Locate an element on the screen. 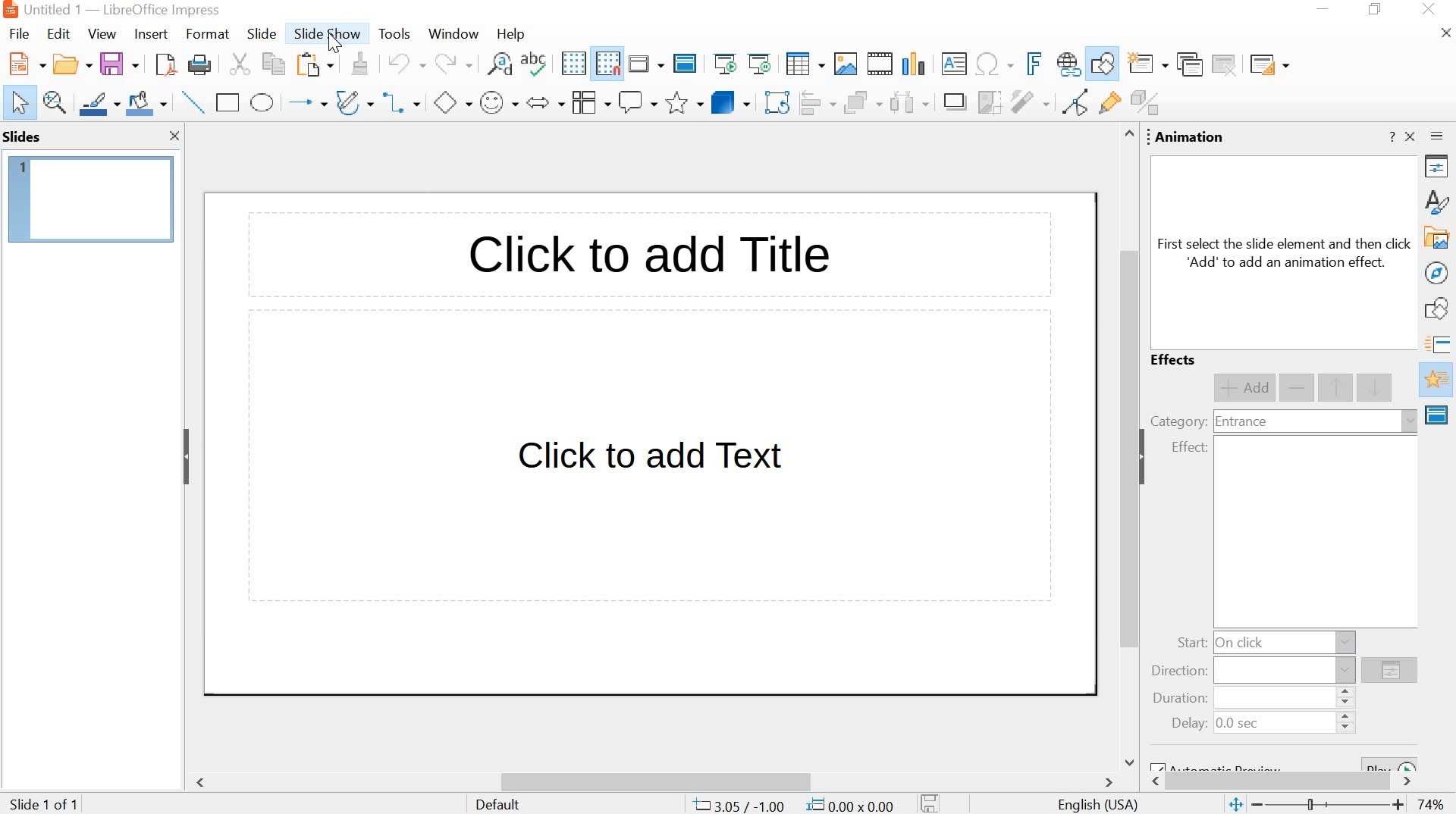 The height and width of the screenshot is (814, 1456). default is located at coordinates (499, 804).